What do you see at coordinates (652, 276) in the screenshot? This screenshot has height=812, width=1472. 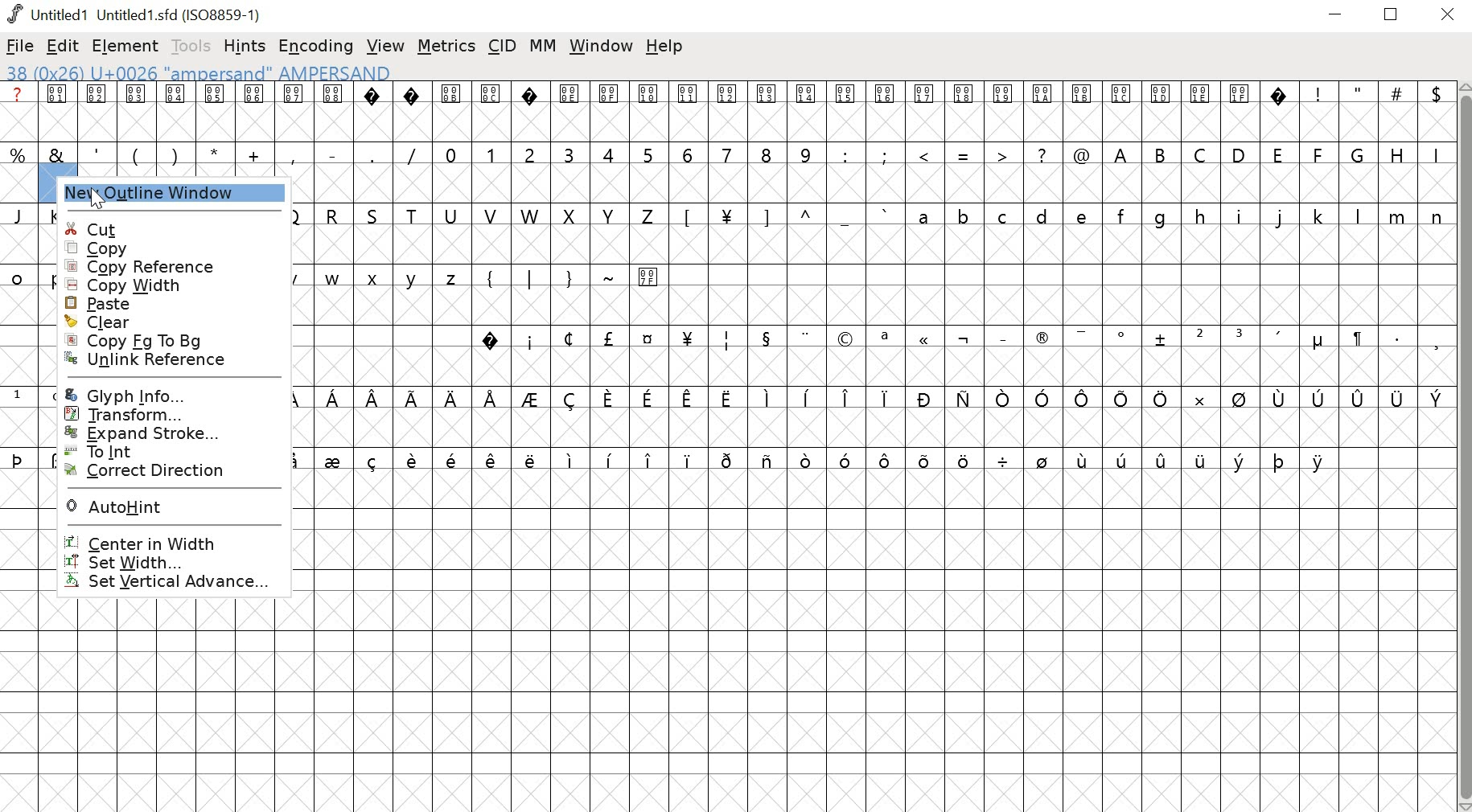 I see `007F` at bounding box center [652, 276].